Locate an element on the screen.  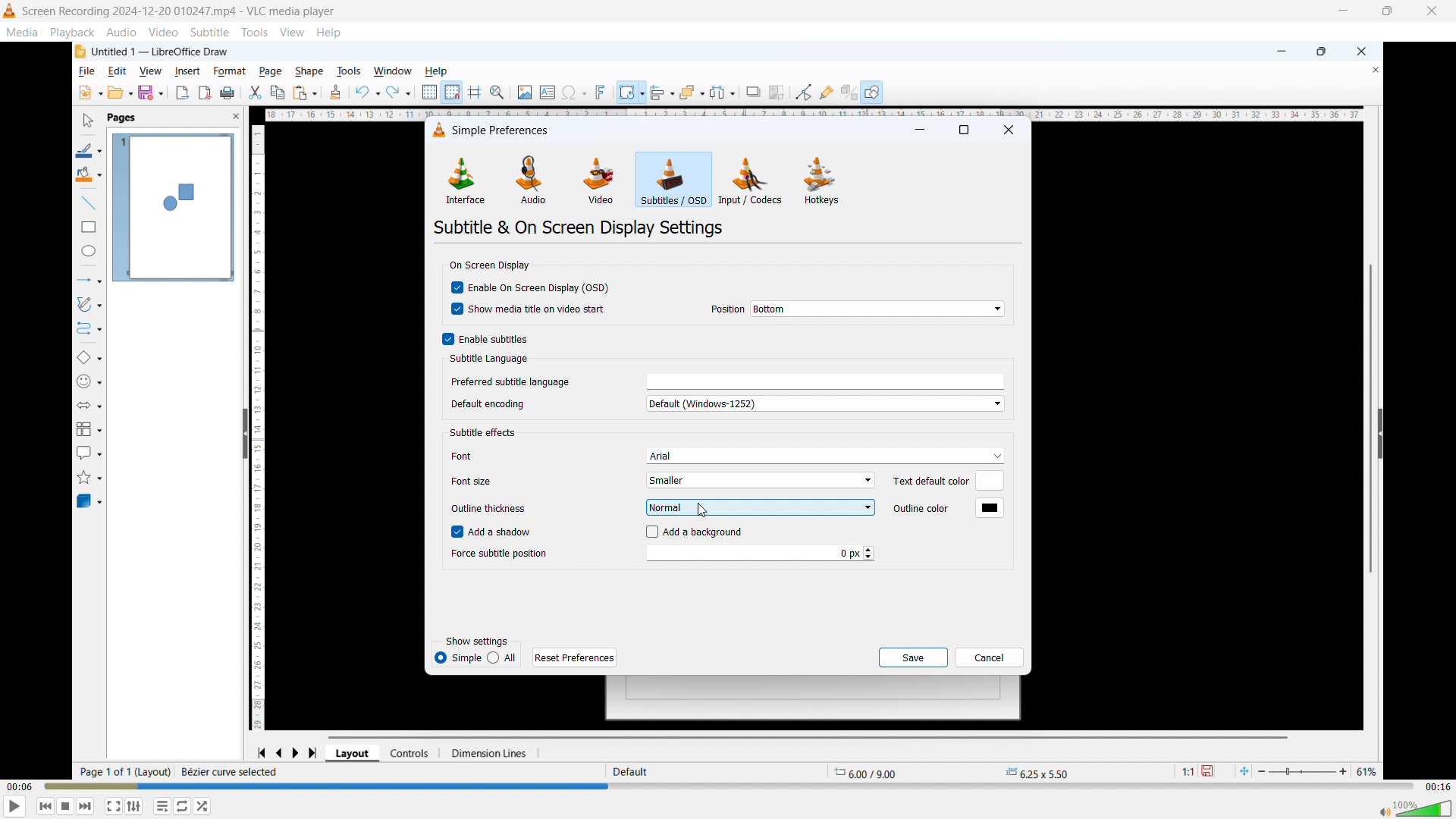
Playback  is located at coordinates (74, 33).